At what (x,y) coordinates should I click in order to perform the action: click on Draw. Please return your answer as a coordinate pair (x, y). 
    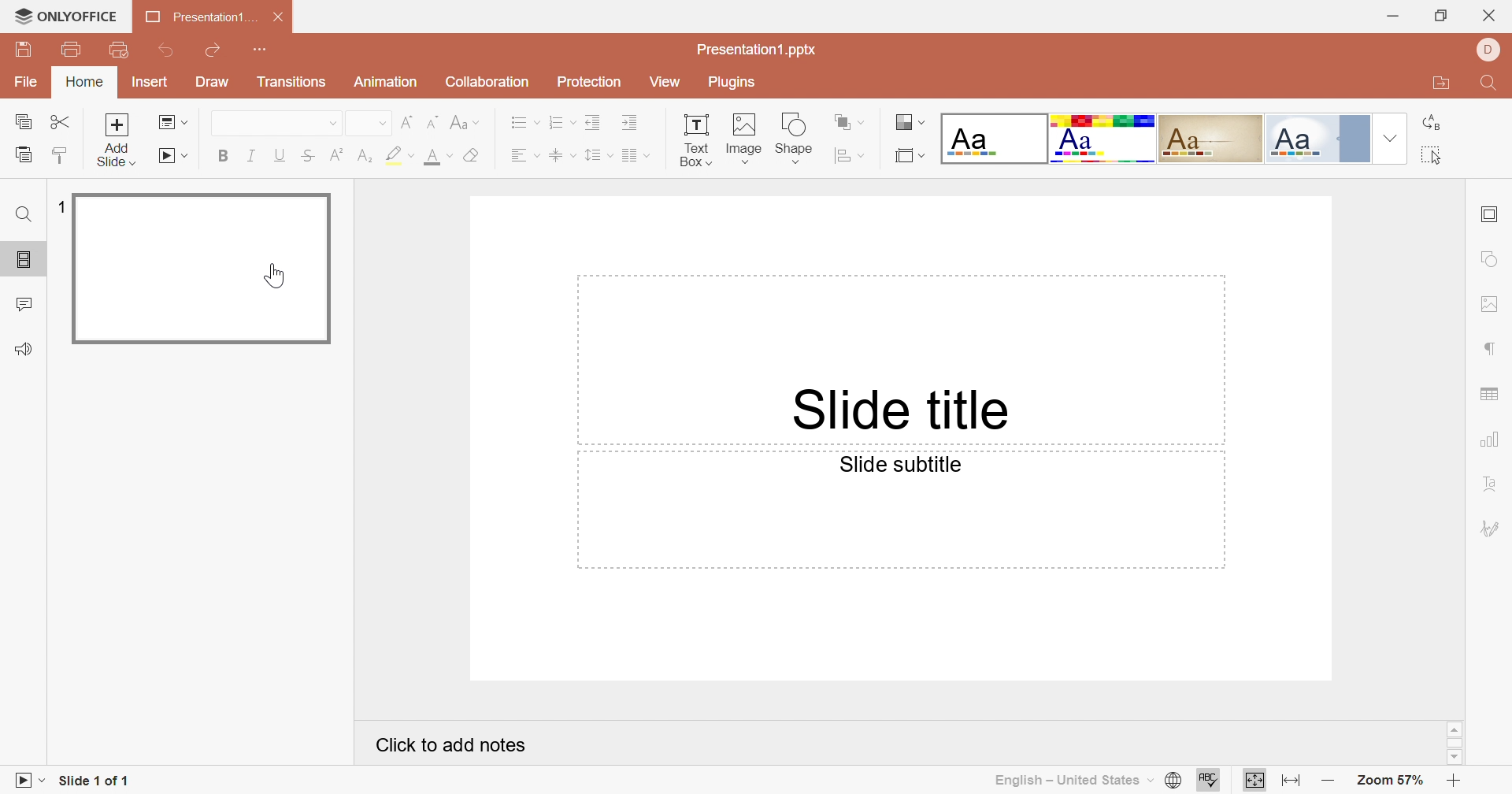
    Looking at the image, I should click on (215, 84).